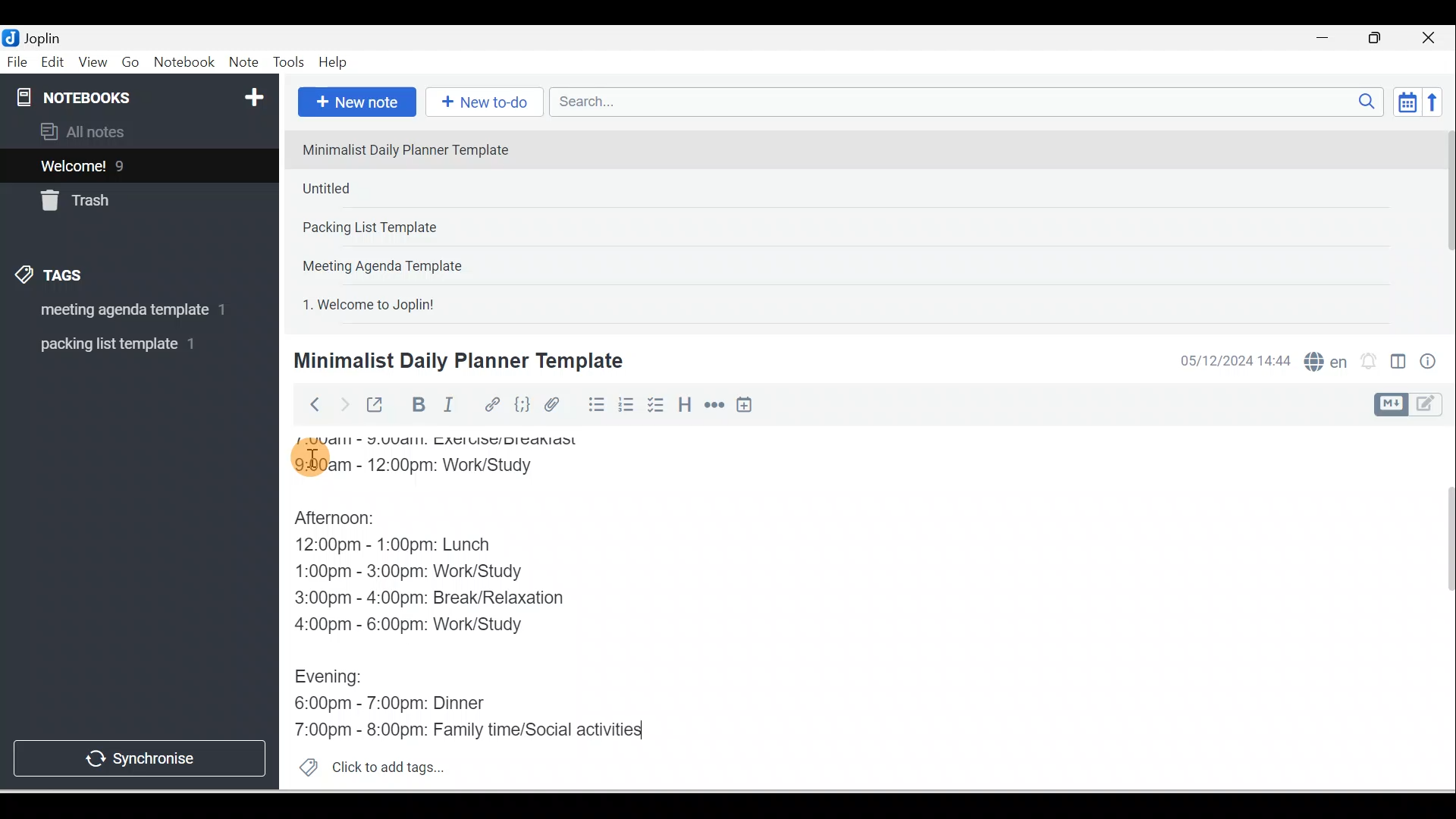 The image size is (1456, 819). Describe the element at coordinates (184, 63) in the screenshot. I see `Notebook` at that location.